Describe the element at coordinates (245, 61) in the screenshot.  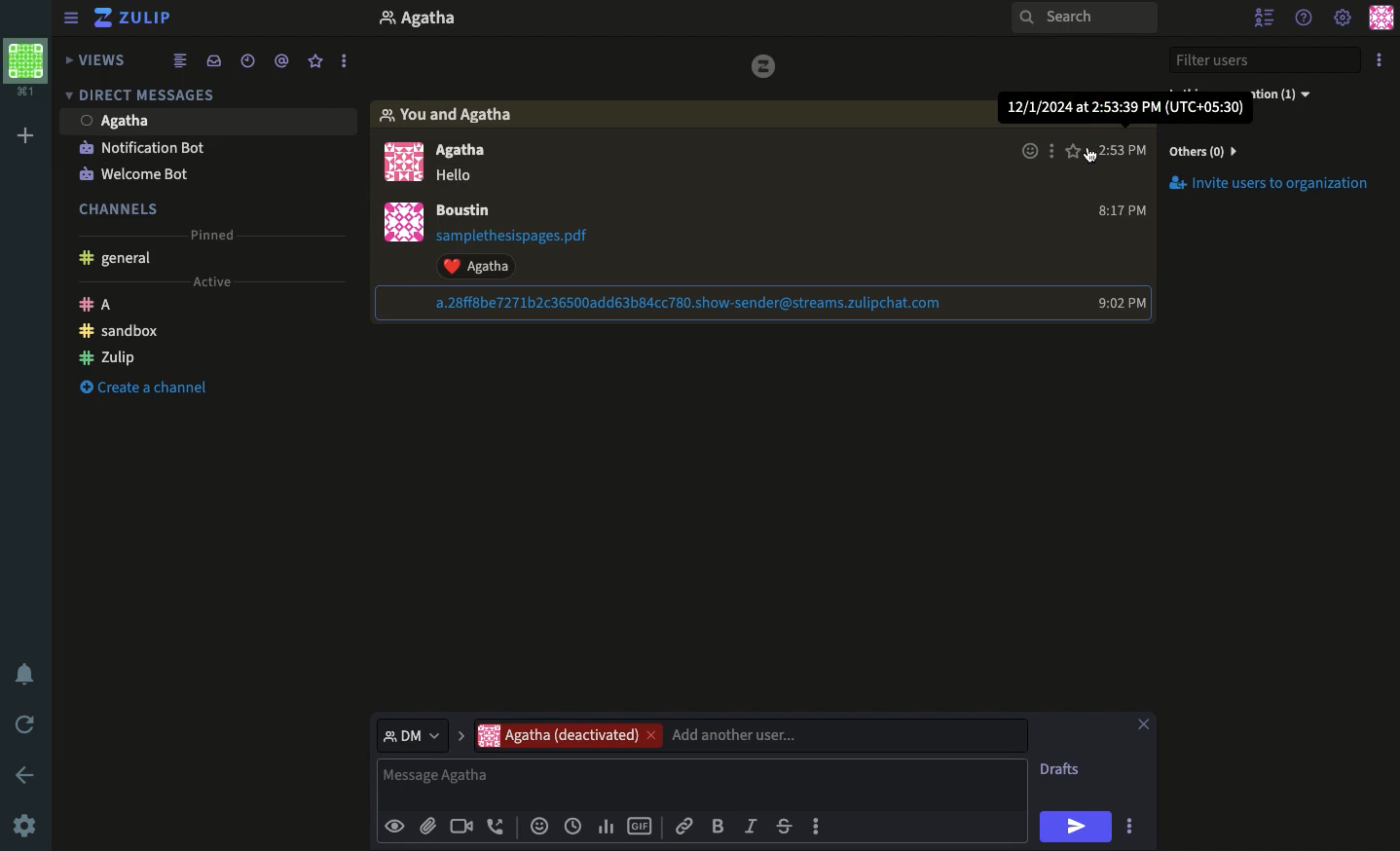
I see `Time` at that location.